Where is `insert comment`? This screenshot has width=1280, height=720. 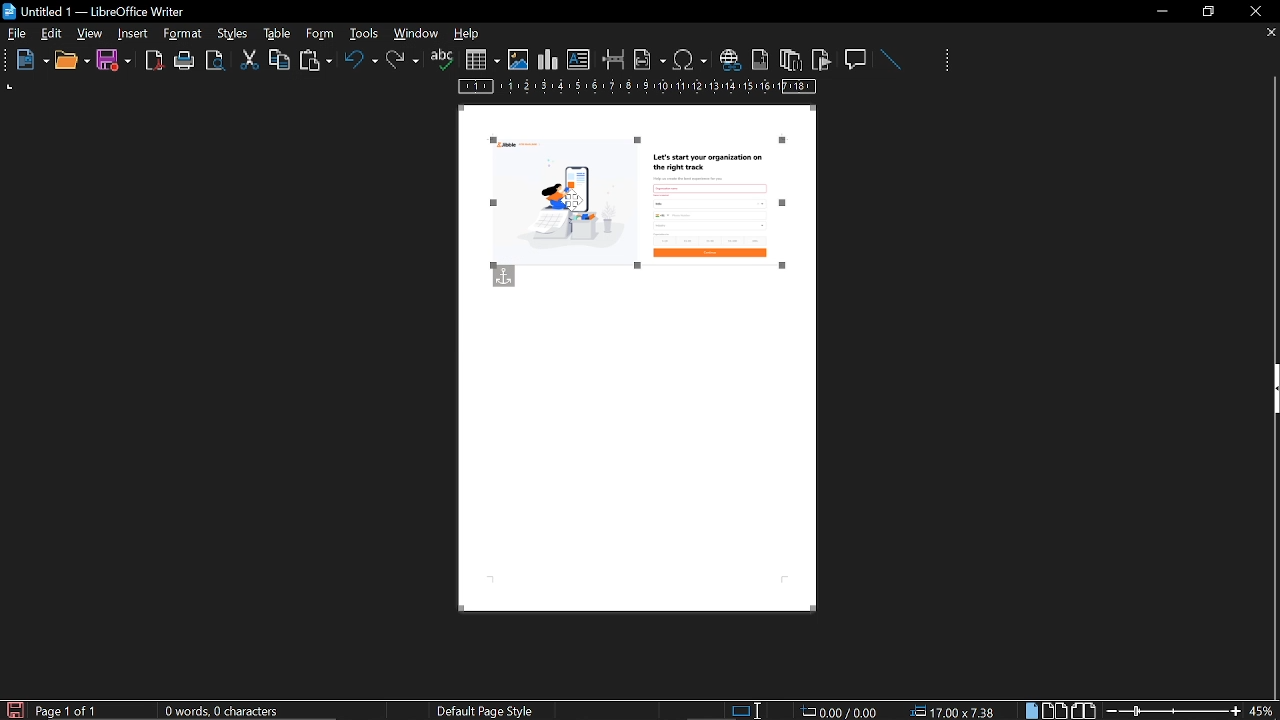 insert comment is located at coordinates (857, 58).